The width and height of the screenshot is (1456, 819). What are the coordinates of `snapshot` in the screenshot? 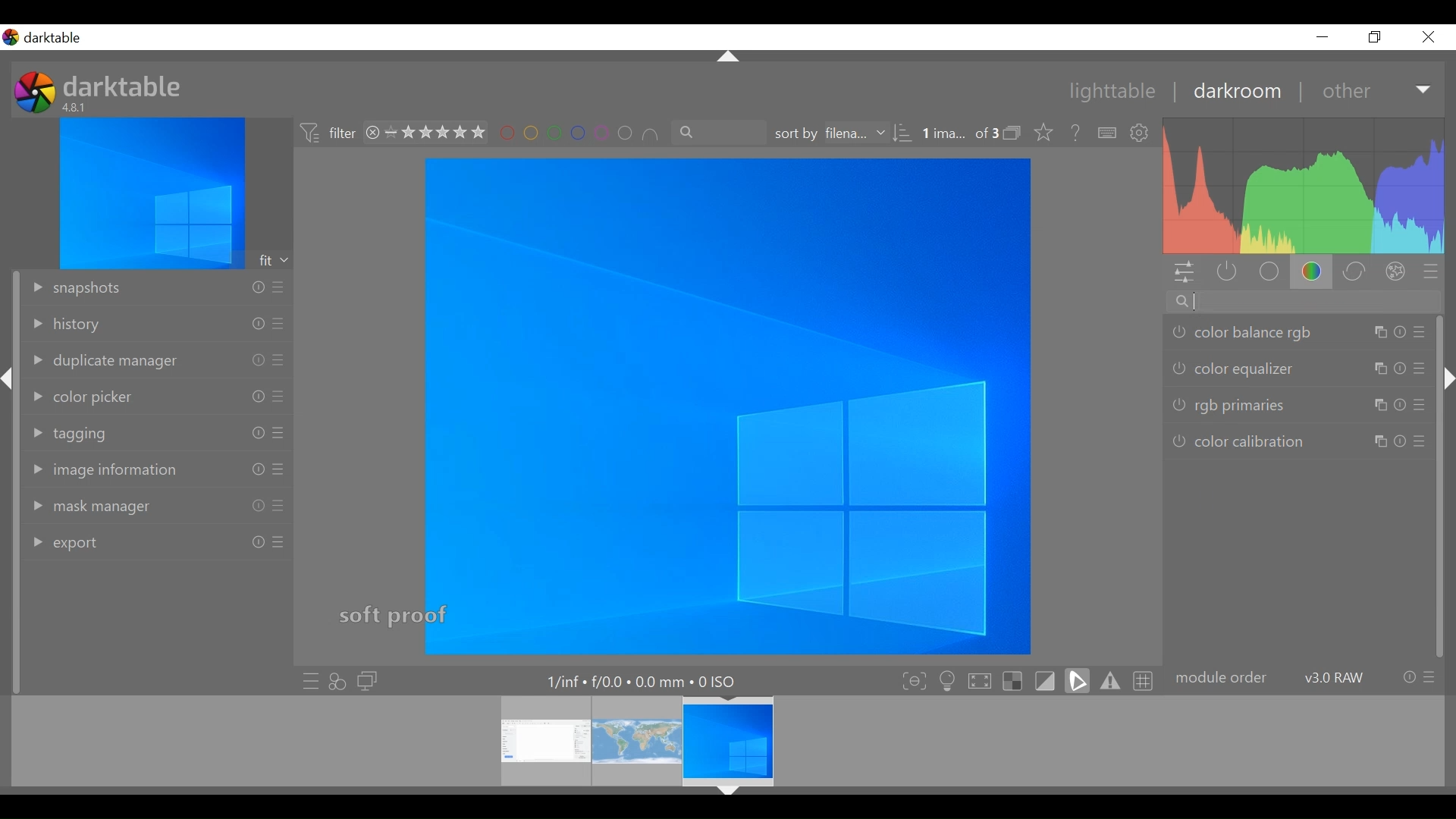 It's located at (74, 289).